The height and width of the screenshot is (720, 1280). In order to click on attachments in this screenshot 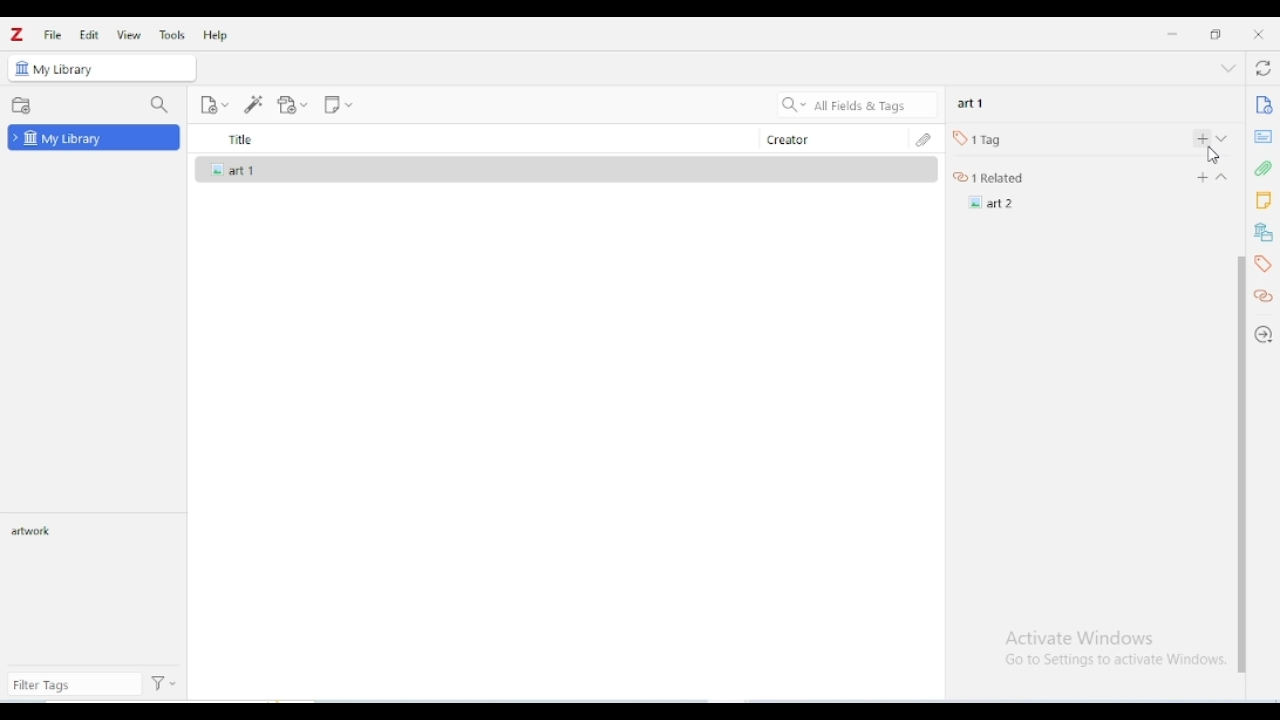, I will do `click(1265, 169)`.